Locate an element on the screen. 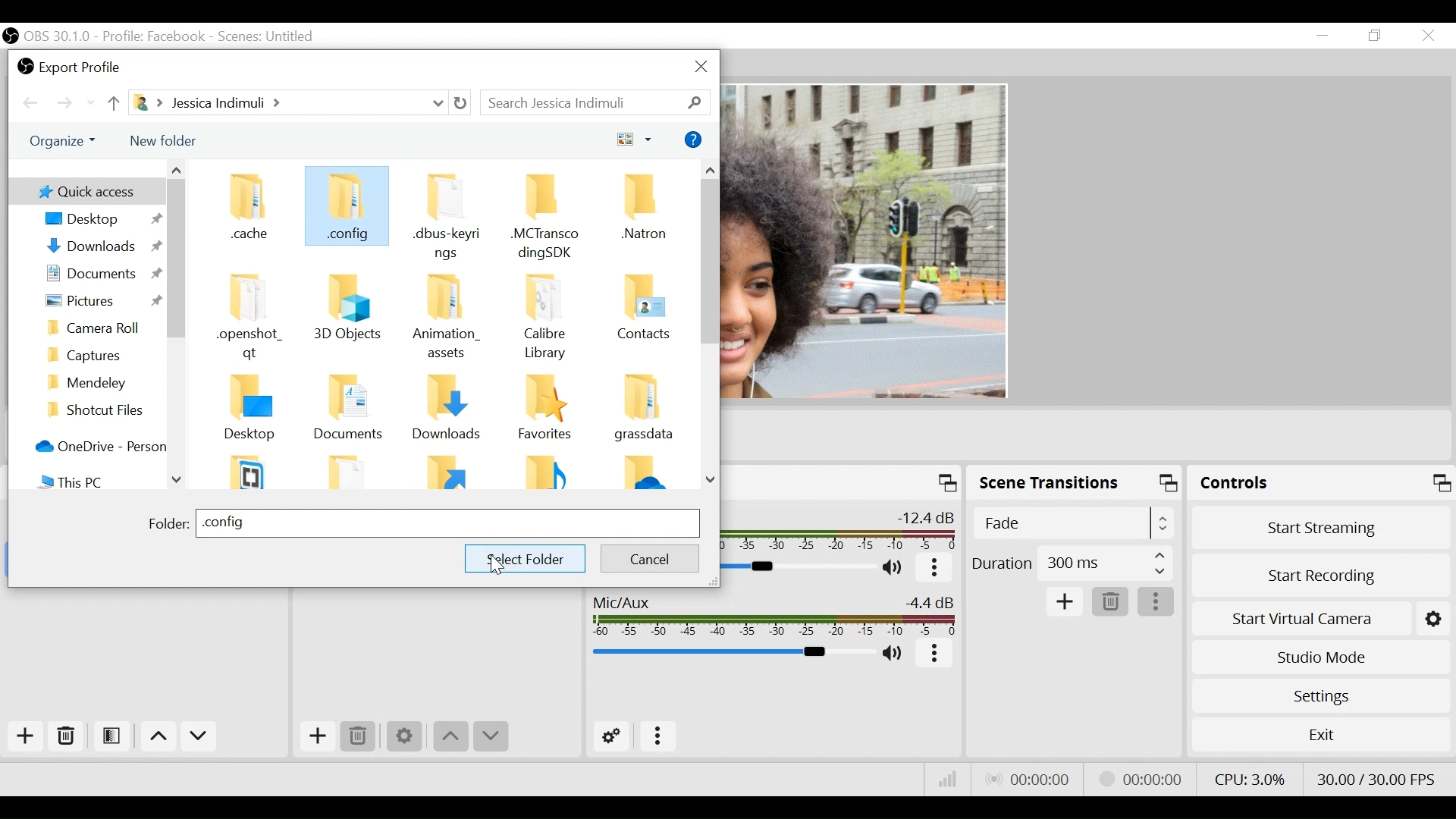  Add is located at coordinates (26, 736).